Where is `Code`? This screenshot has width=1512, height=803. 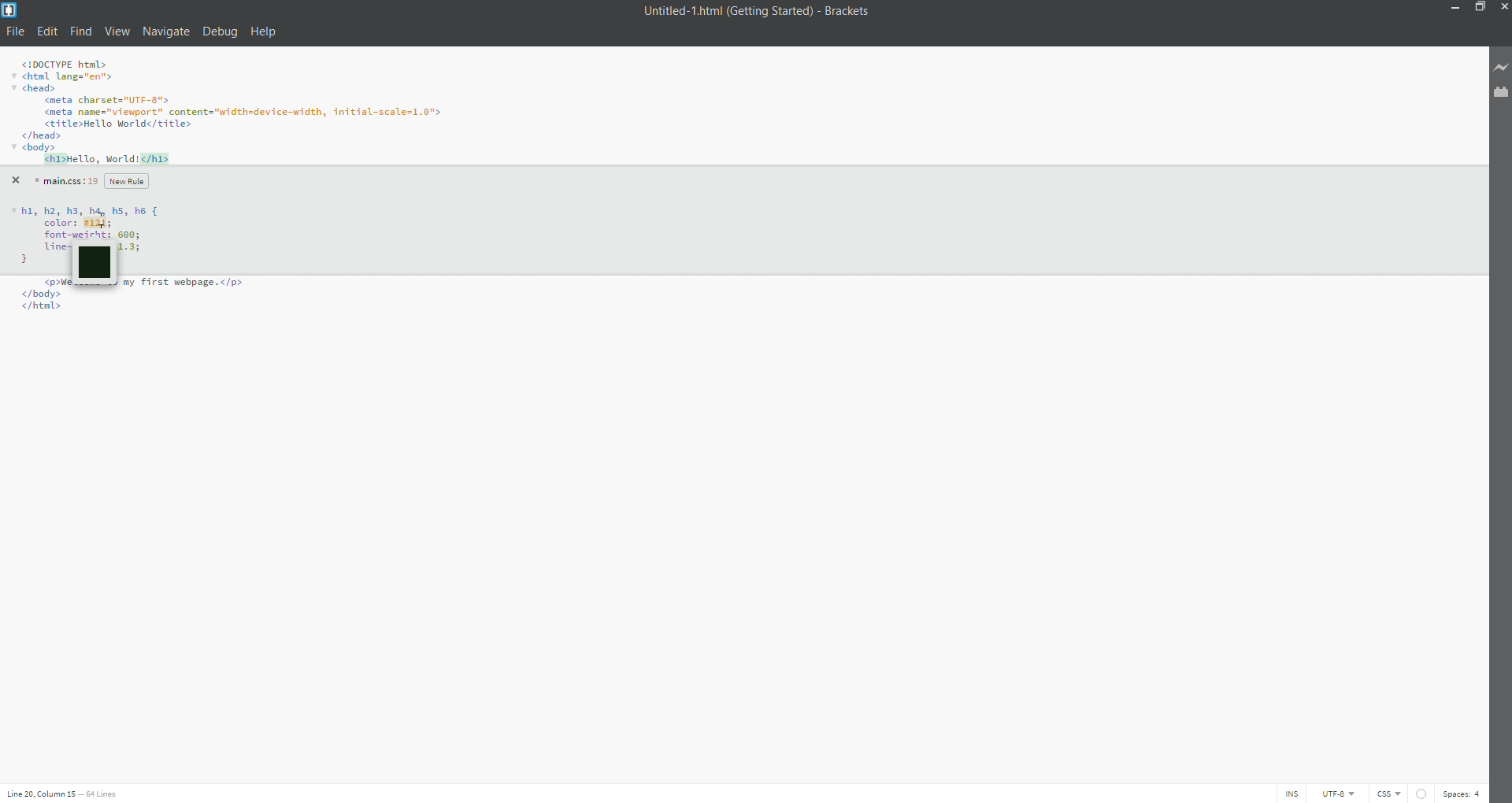
Code is located at coordinates (133, 309).